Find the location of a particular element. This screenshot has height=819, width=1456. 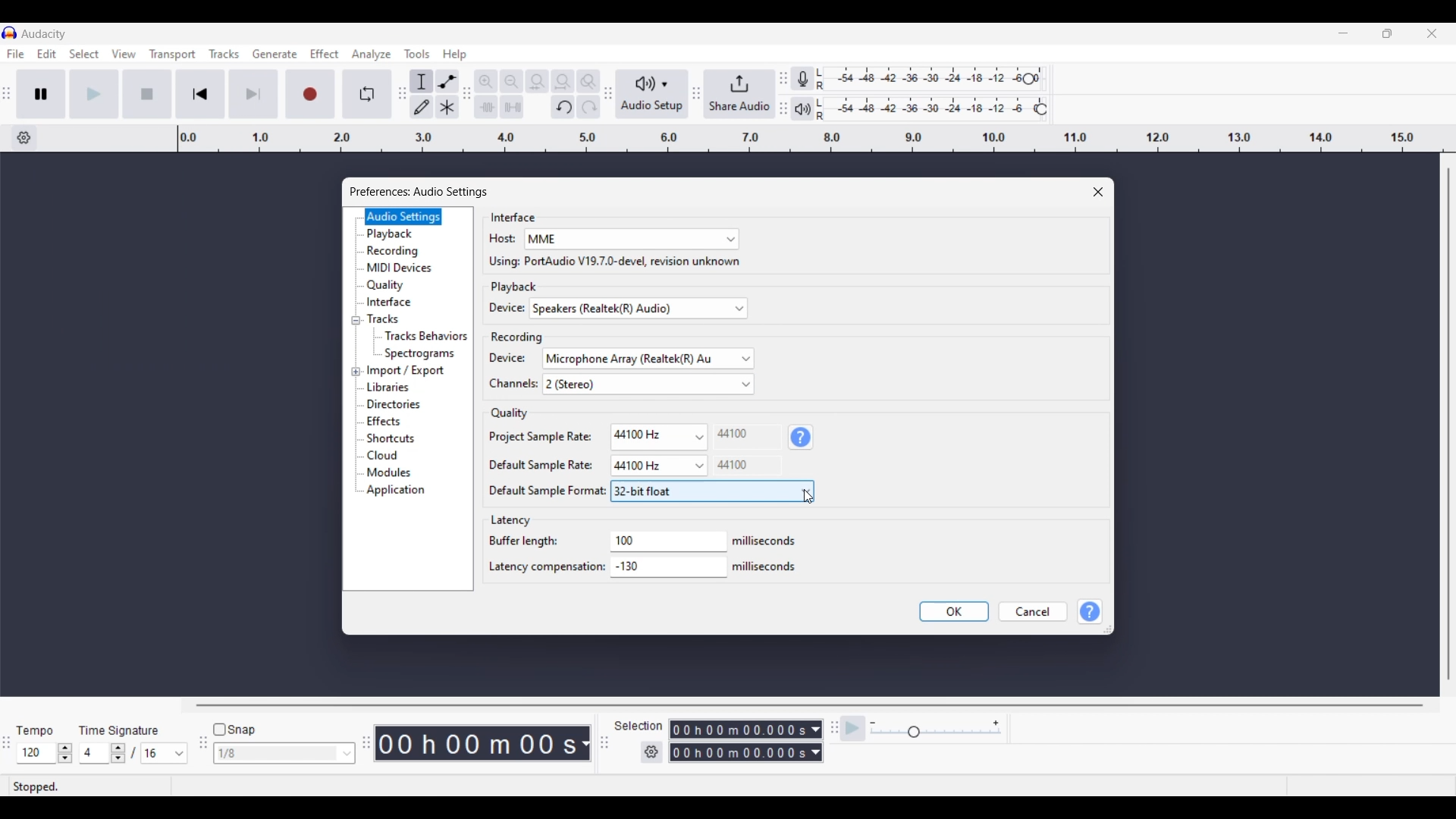

Stop is located at coordinates (148, 94).